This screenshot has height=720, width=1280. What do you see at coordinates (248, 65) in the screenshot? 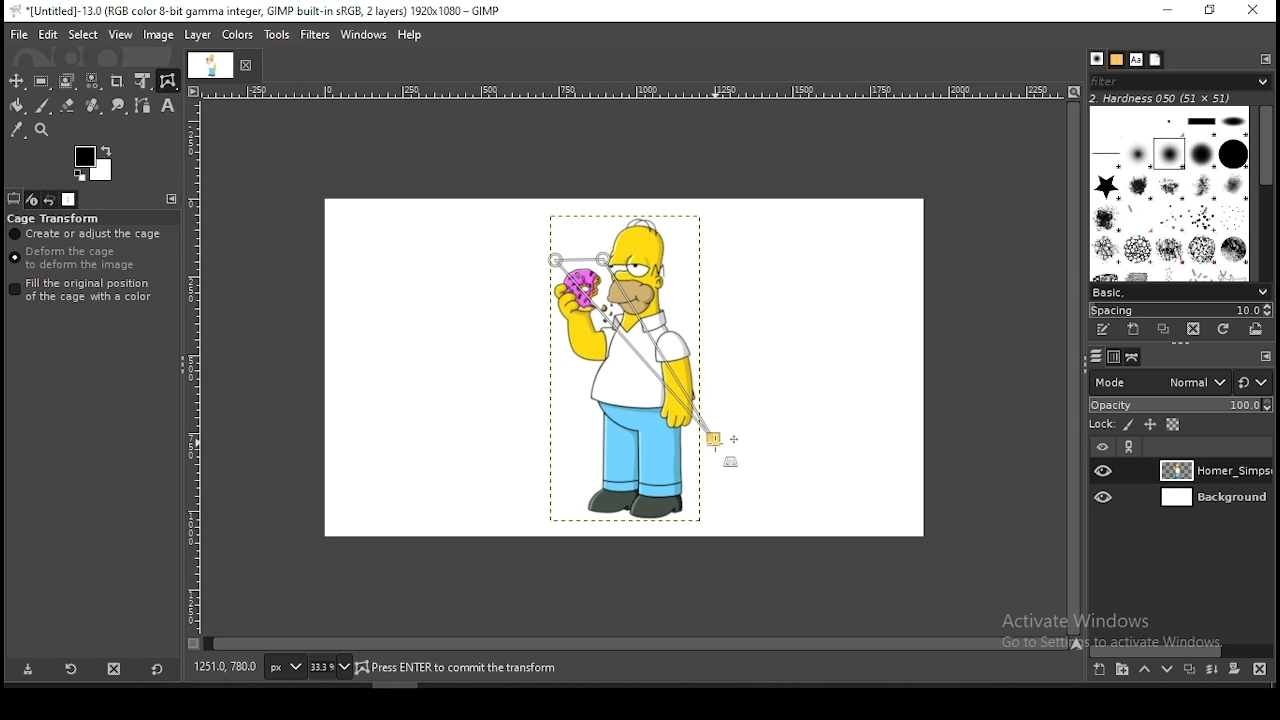
I see `close` at bounding box center [248, 65].